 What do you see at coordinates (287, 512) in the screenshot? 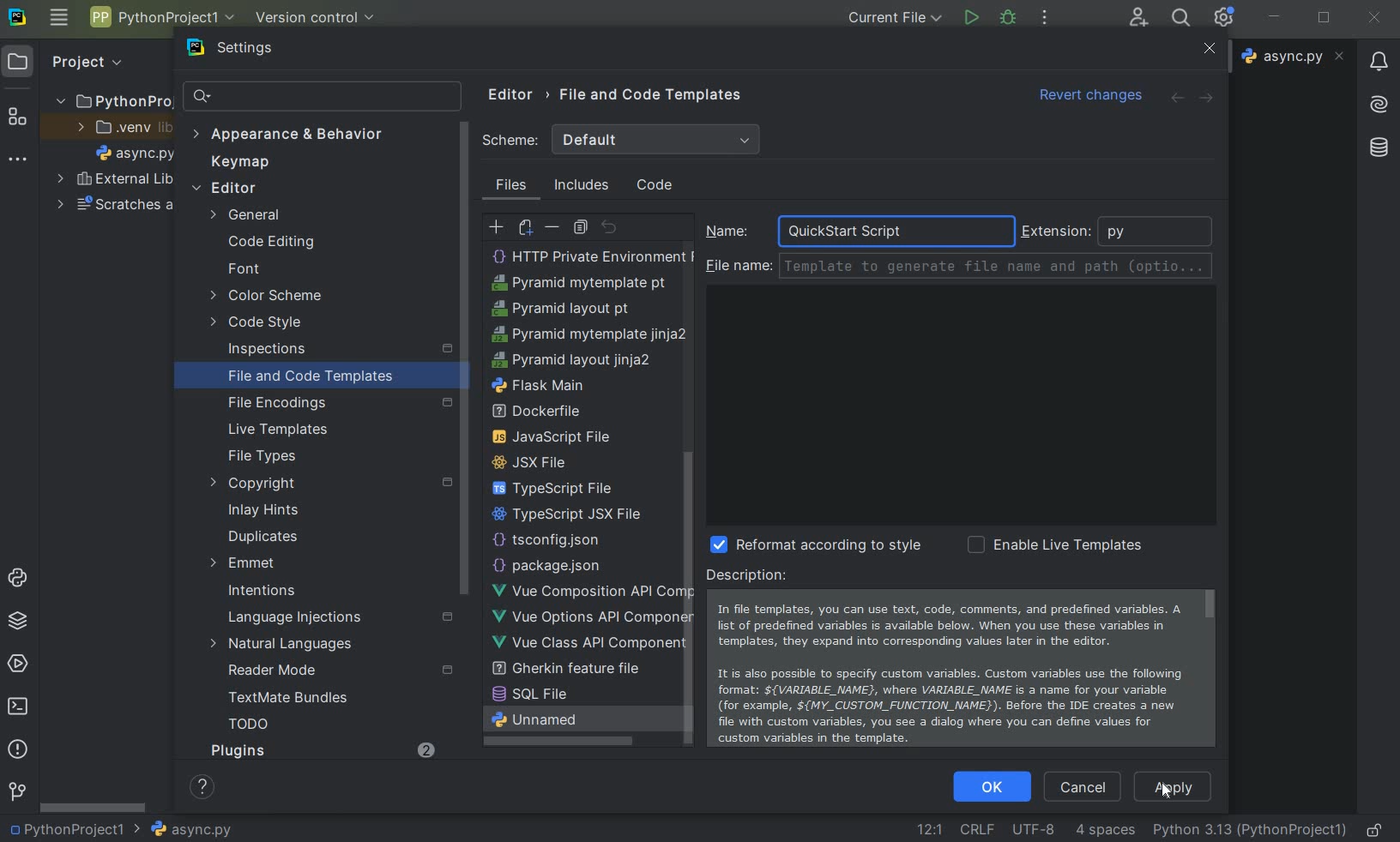
I see `inlay hints` at bounding box center [287, 512].